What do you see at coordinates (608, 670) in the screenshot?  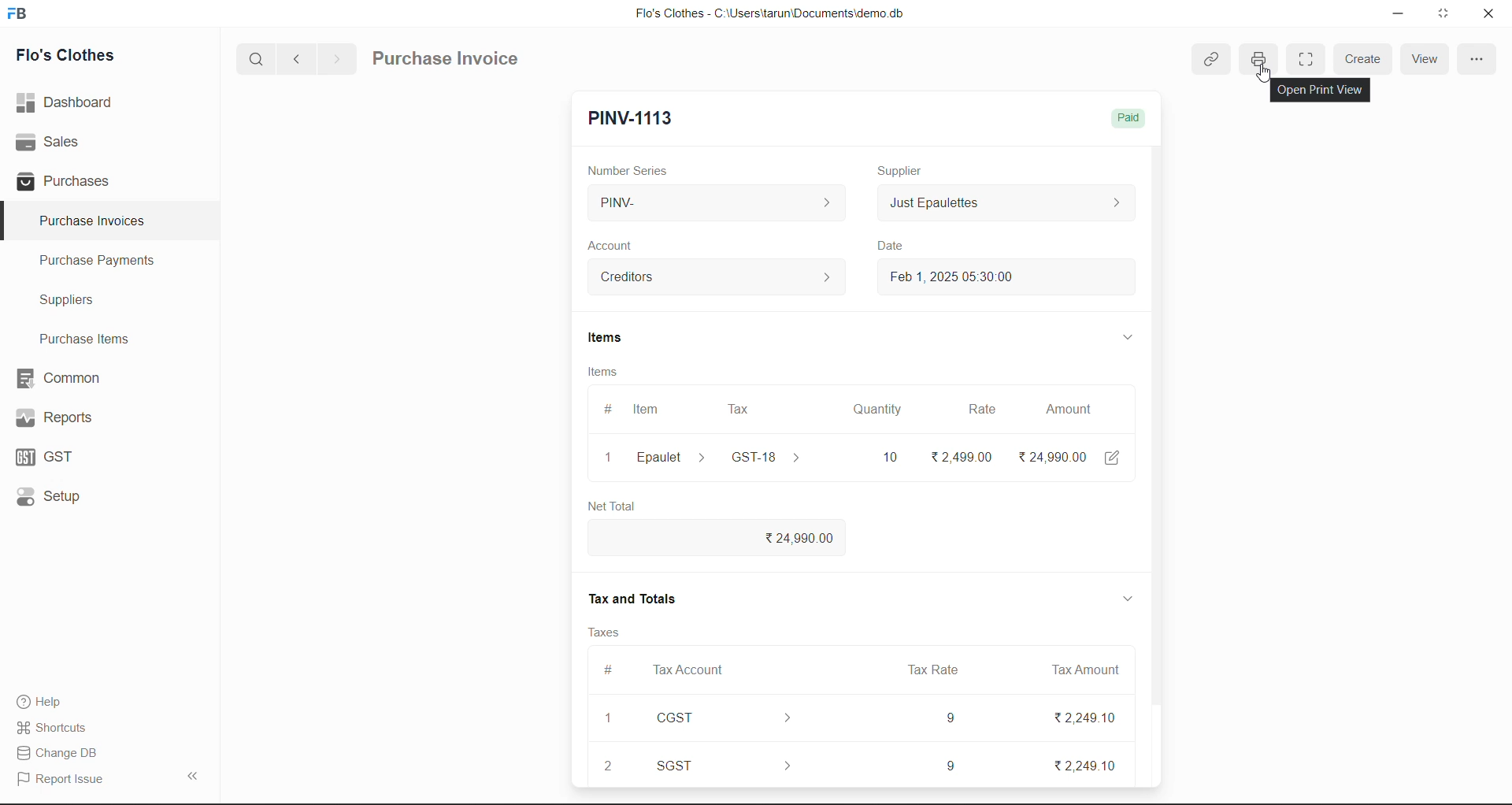 I see `#` at bounding box center [608, 670].